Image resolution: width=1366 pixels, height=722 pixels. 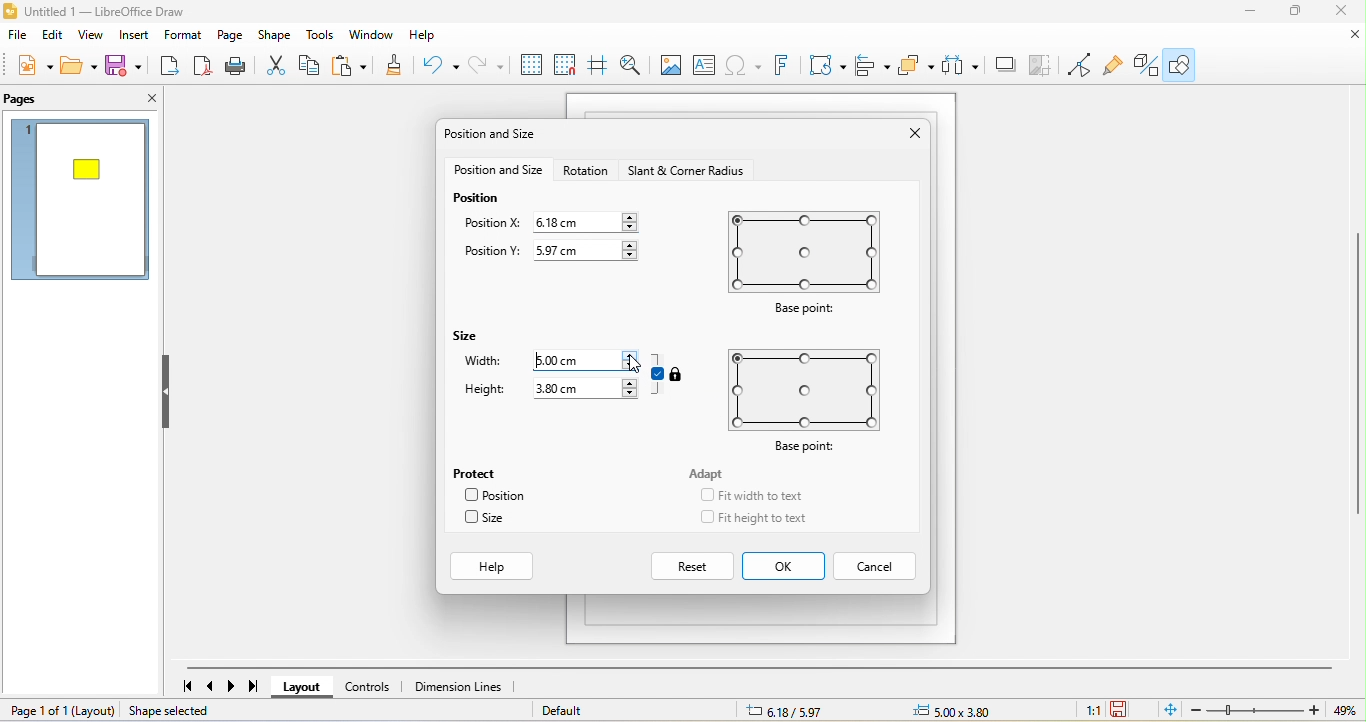 What do you see at coordinates (460, 686) in the screenshot?
I see `dimension lines` at bounding box center [460, 686].